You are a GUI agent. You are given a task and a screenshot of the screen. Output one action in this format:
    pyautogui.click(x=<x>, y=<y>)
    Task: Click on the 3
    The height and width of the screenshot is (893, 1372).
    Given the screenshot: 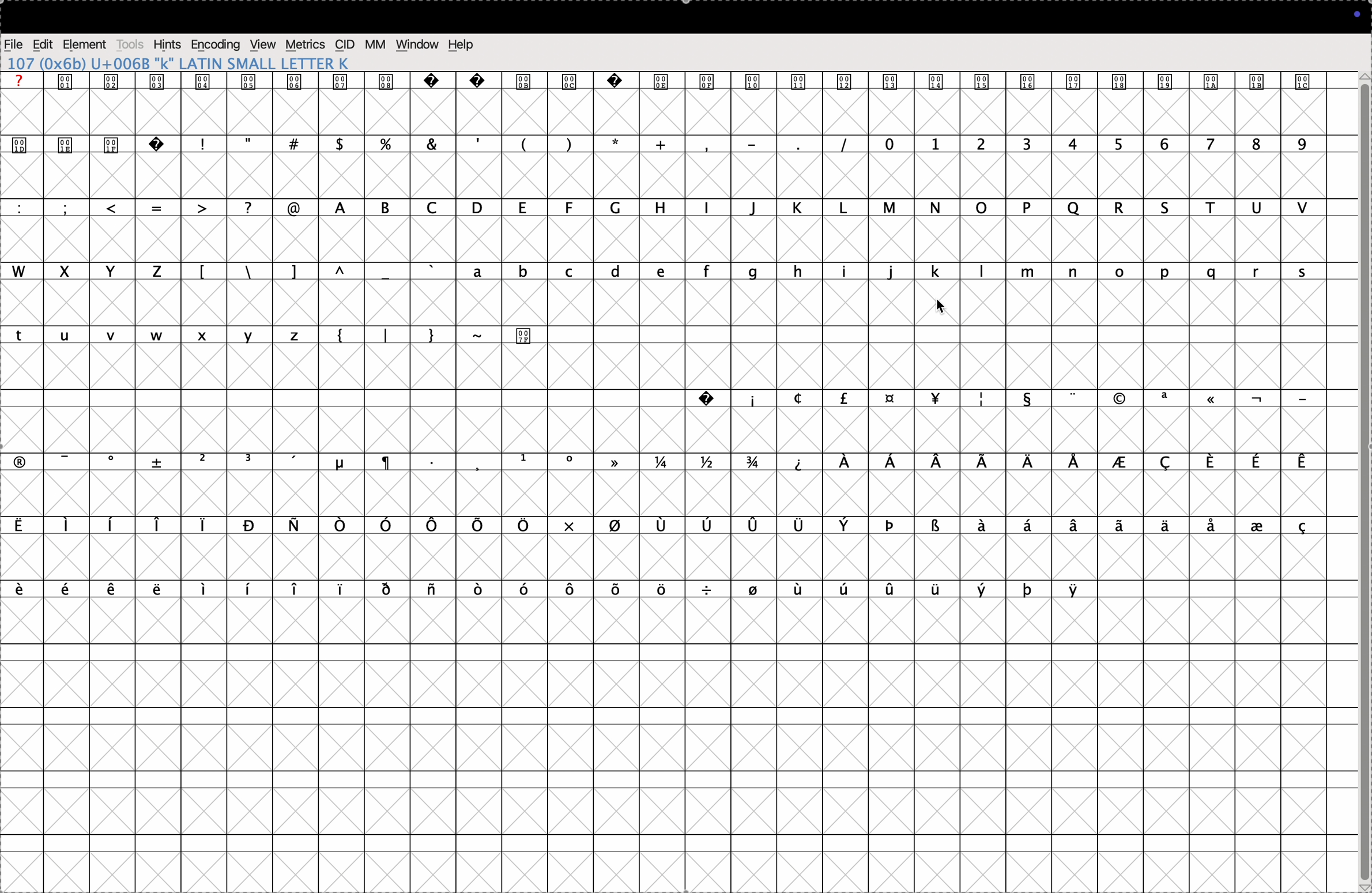 What is the action you would take?
    pyautogui.click(x=1028, y=144)
    